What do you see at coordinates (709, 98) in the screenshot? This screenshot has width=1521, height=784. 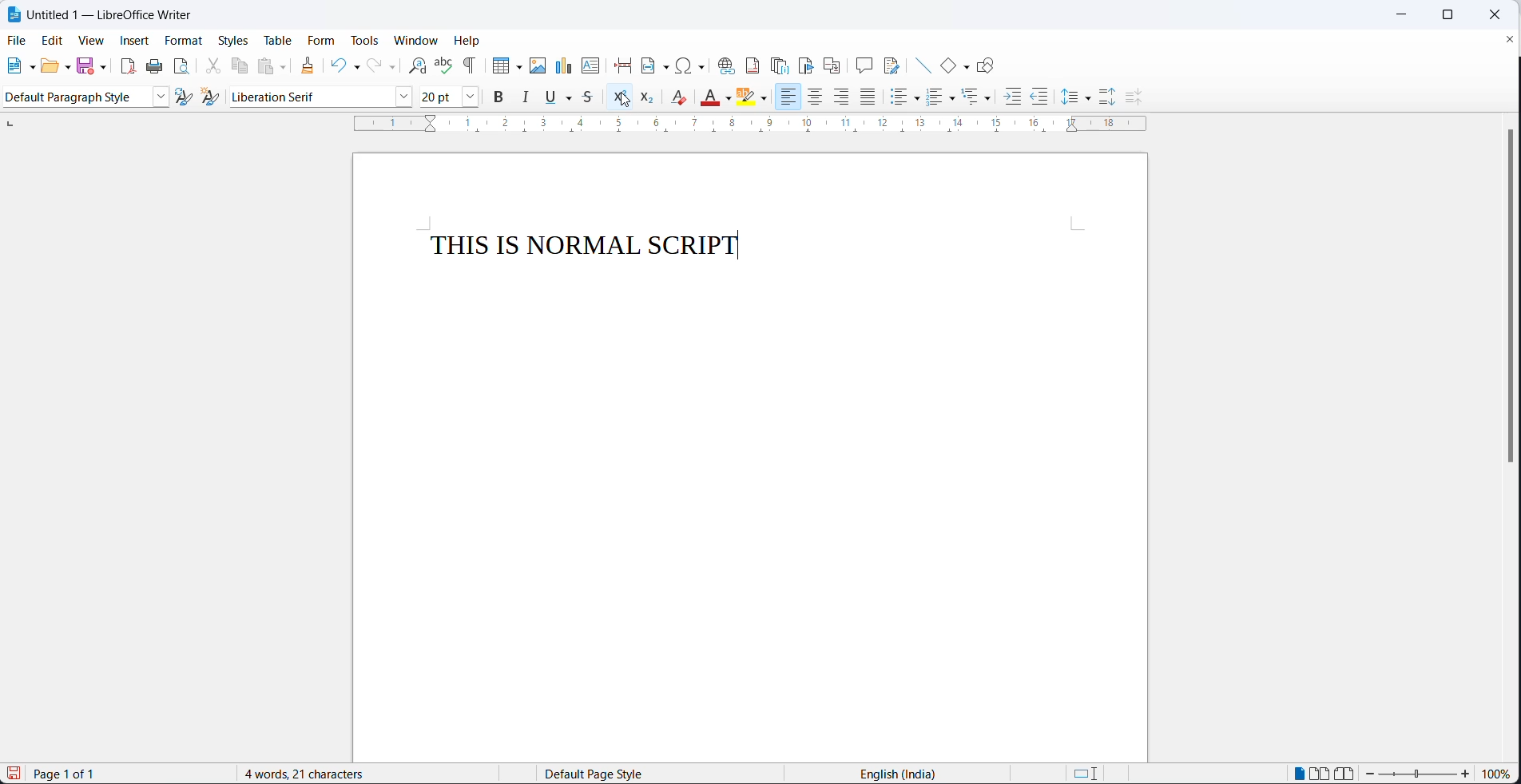 I see `clear direct formatting` at bounding box center [709, 98].